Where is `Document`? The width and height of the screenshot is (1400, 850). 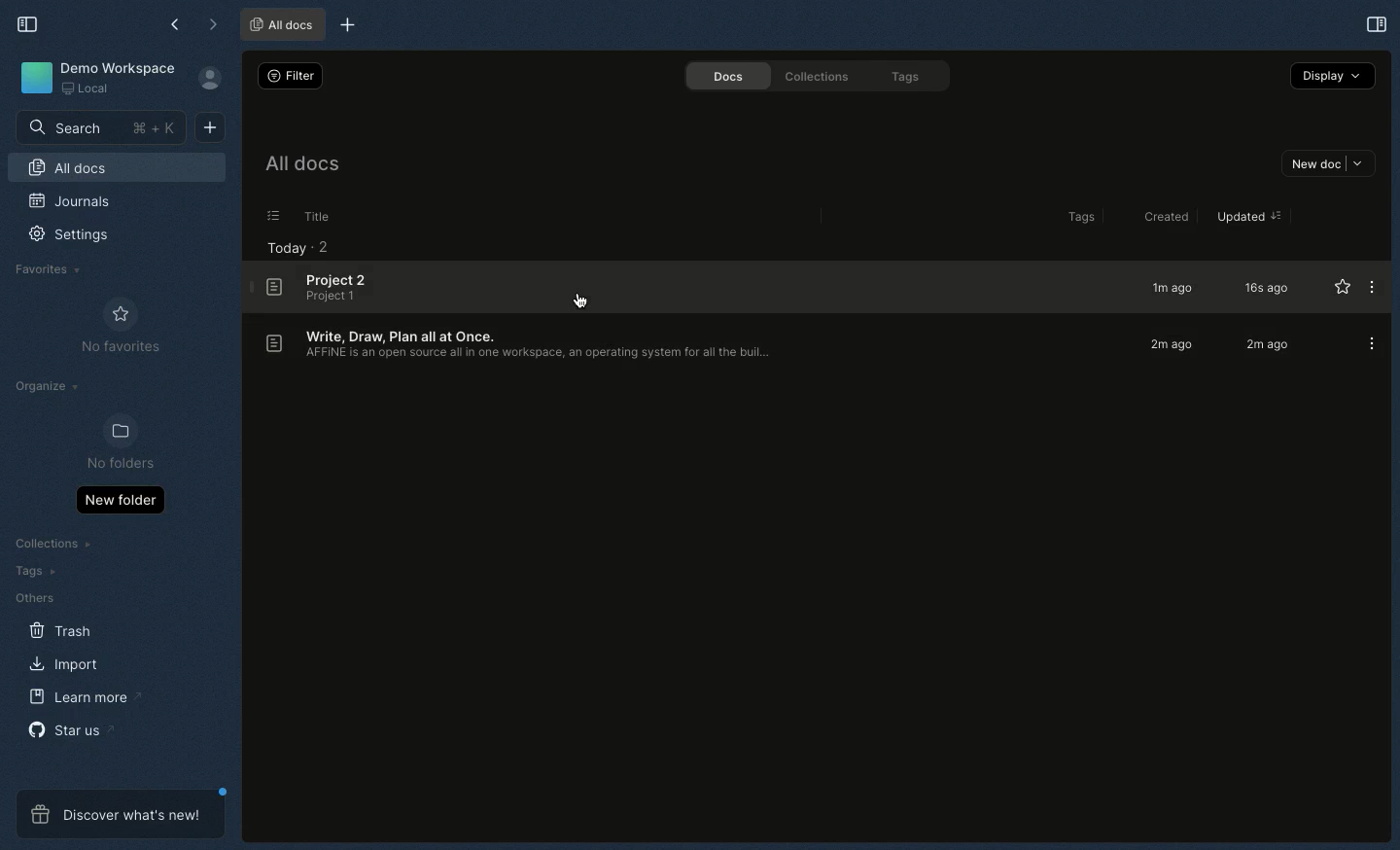 Document is located at coordinates (267, 345).